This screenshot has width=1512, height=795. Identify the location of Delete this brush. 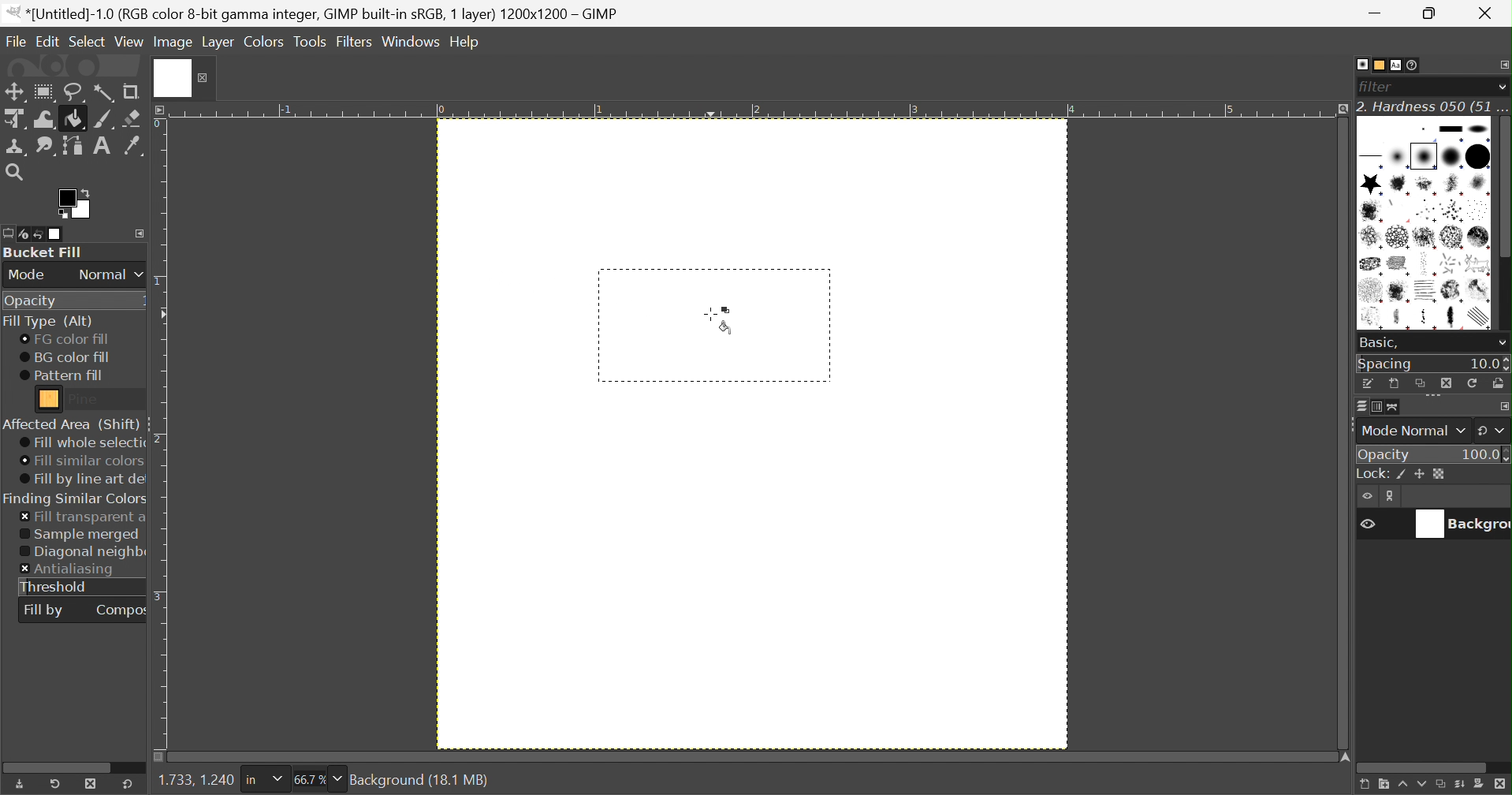
(1446, 383).